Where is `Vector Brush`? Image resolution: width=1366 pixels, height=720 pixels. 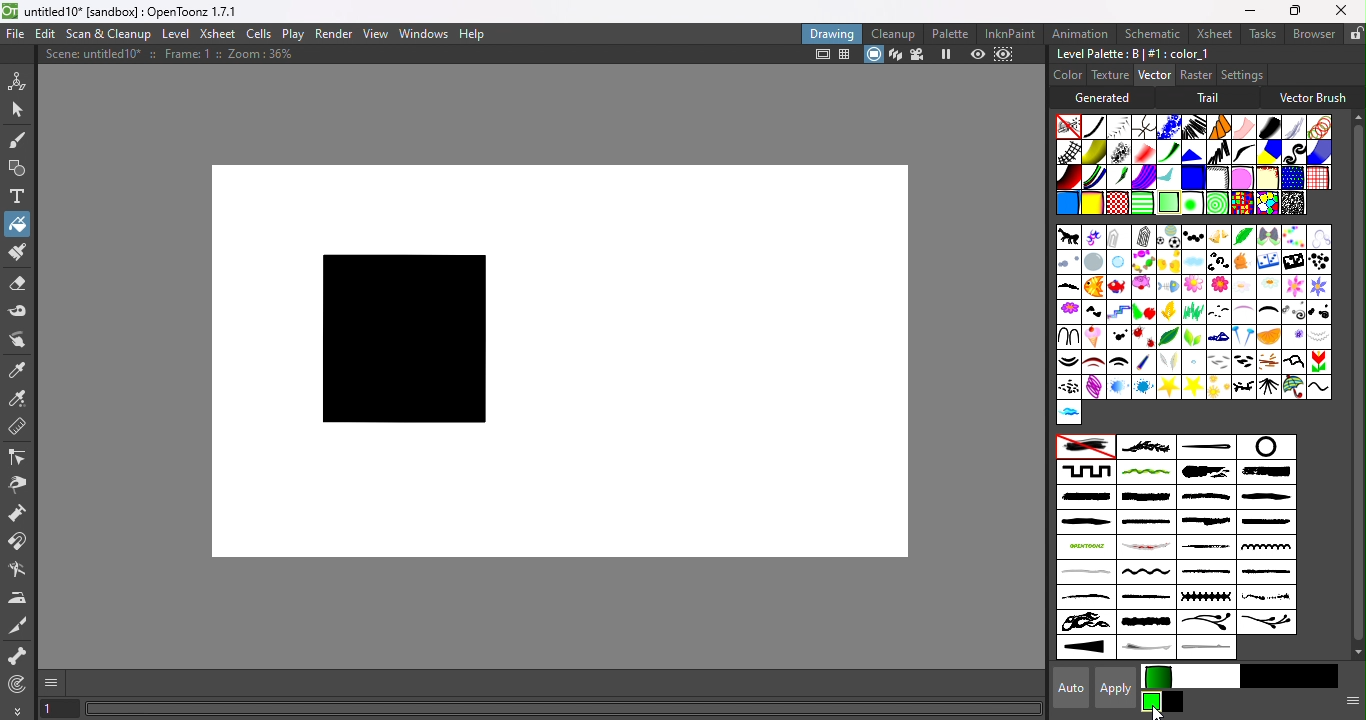 Vector Brush is located at coordinates (1313, 95).